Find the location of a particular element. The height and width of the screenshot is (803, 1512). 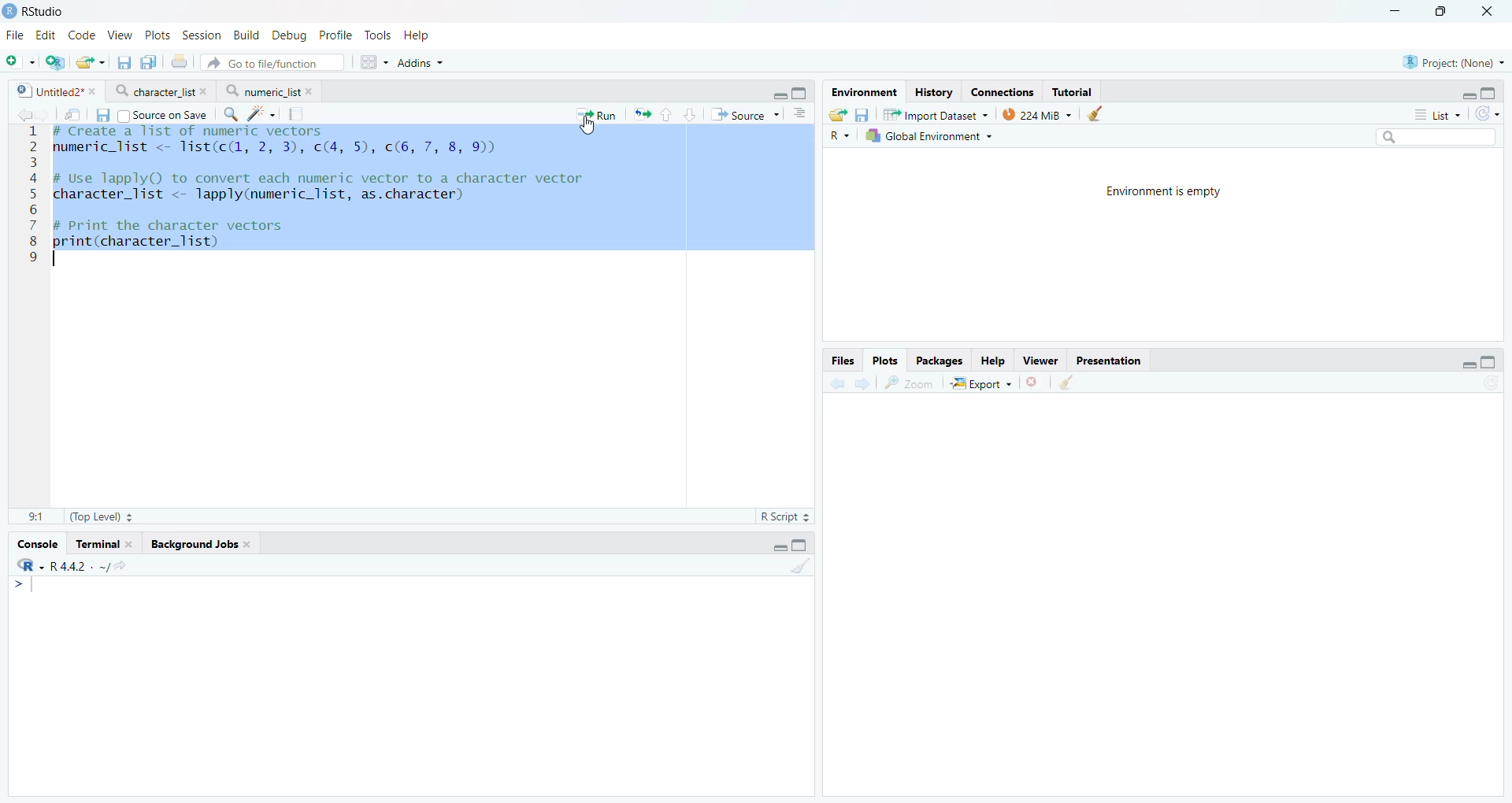

File is located at coordinates (17, 35).